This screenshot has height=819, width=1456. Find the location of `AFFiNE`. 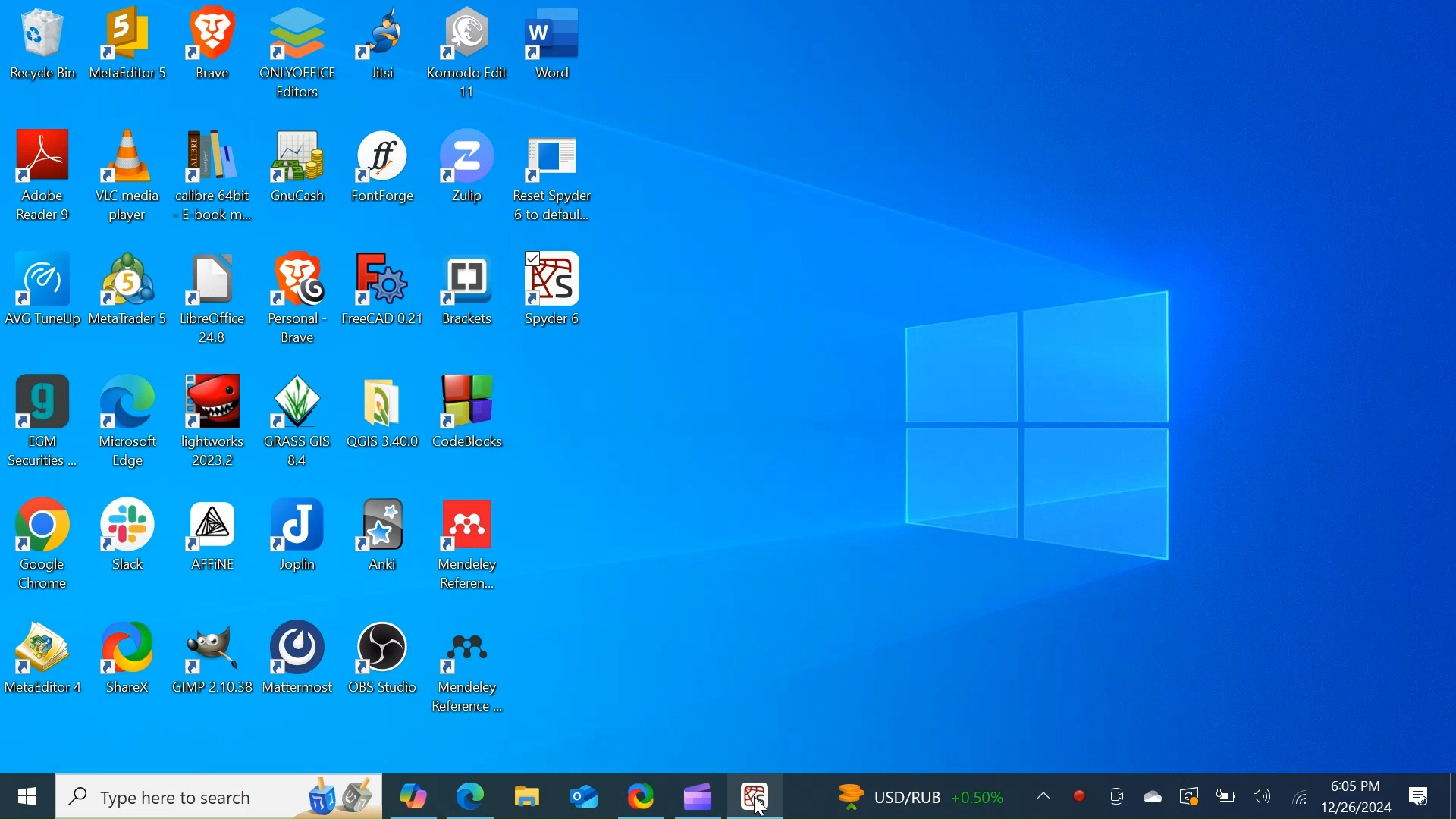

AFFiNE is located at coordinates (211, 545).